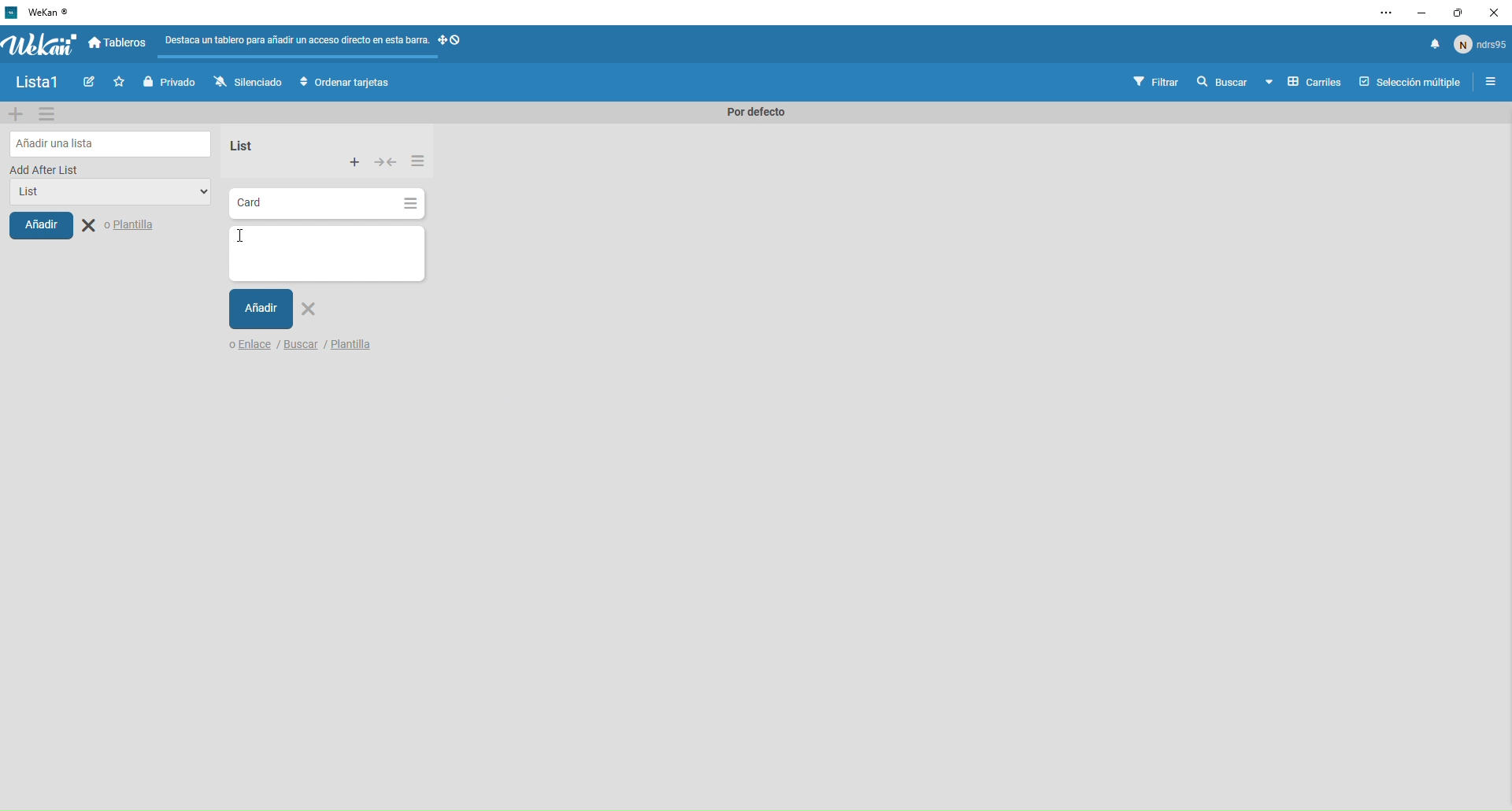 The width and height of the screenshot is (1512, 811). I want to click on More, so click(417, 159).